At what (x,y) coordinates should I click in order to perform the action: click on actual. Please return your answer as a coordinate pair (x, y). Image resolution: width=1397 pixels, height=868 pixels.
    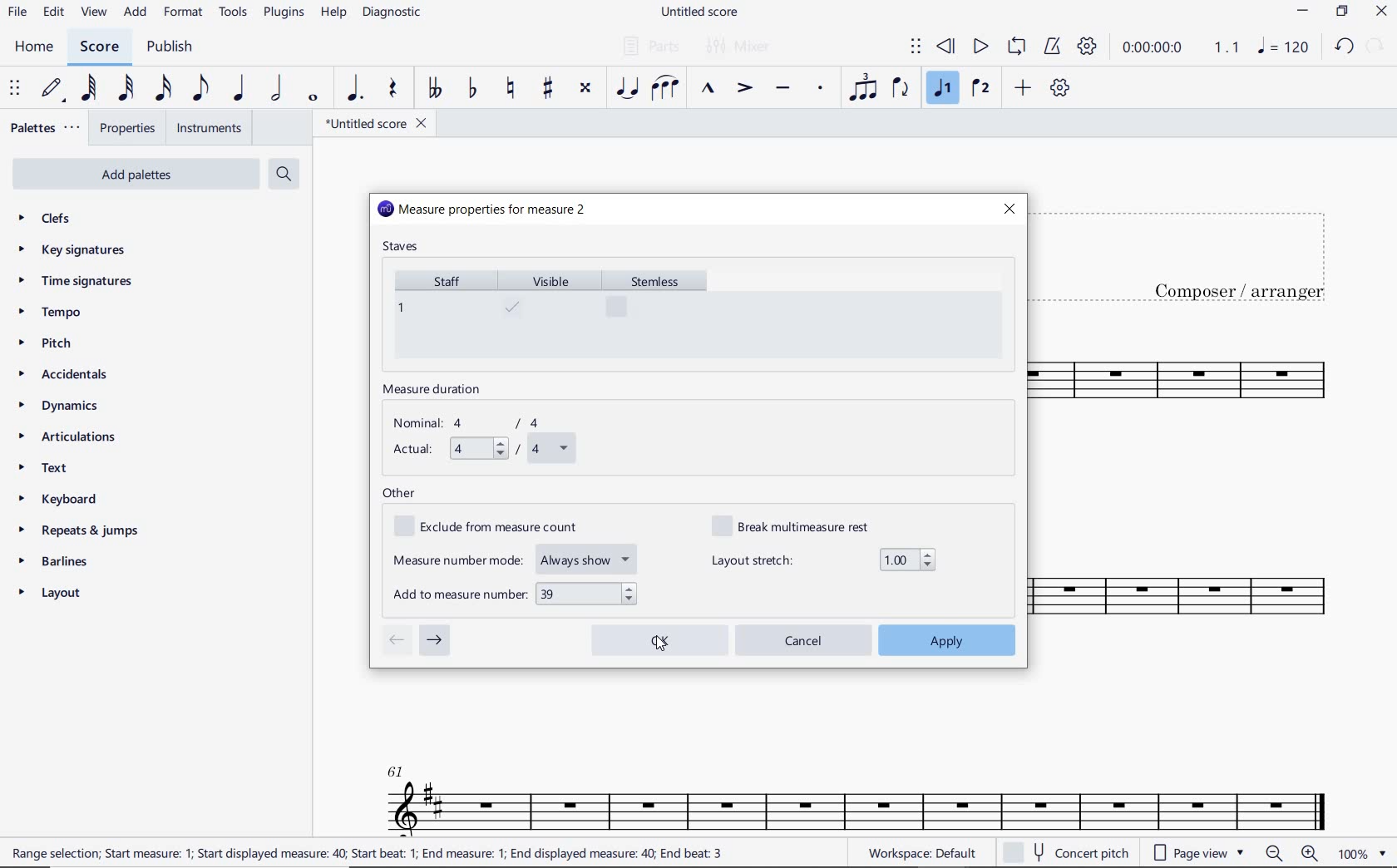
    Looking at the image, I should click on (481, 450).